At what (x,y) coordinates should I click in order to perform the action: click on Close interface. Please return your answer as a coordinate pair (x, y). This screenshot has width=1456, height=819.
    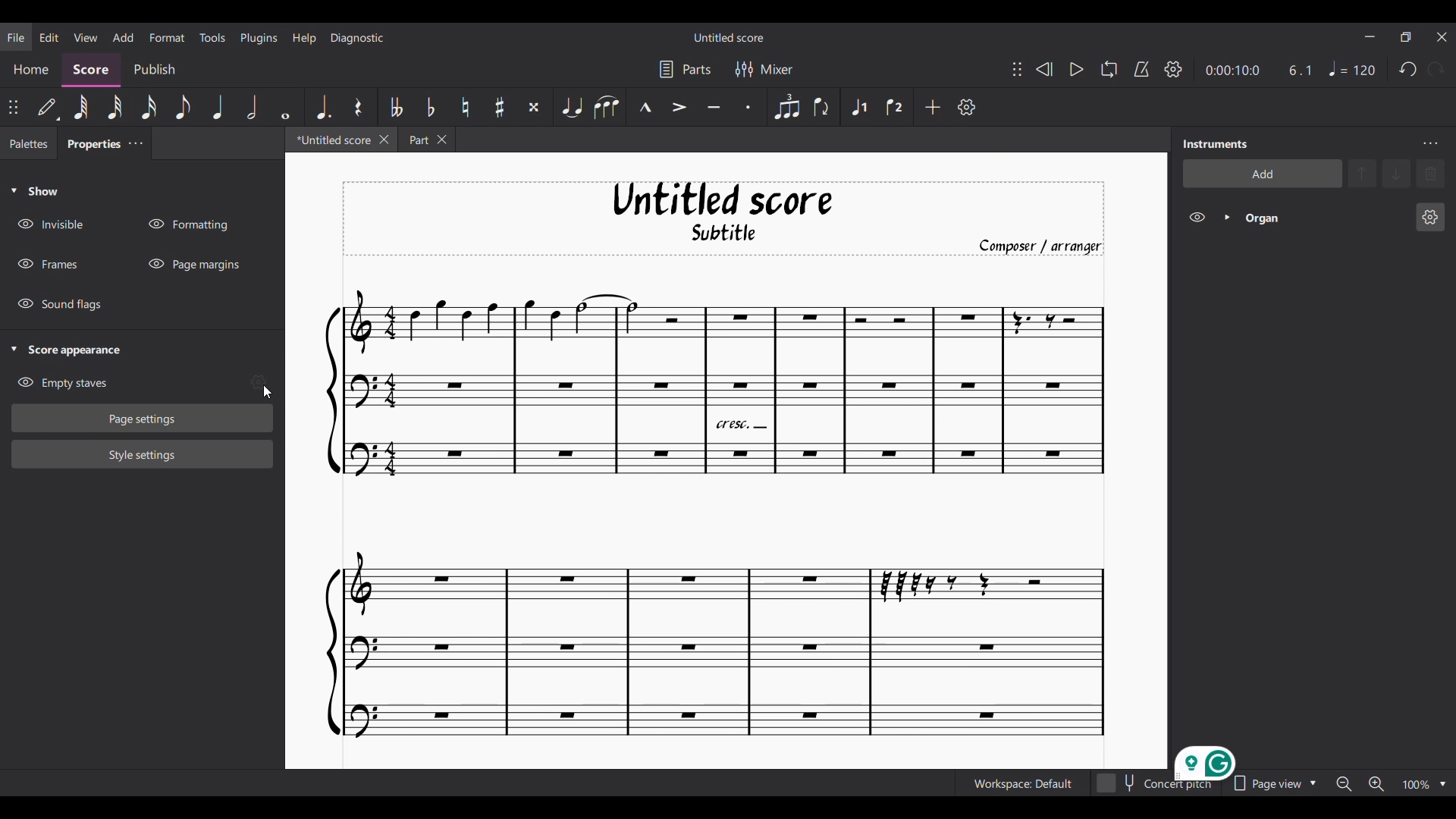
    Looking at the image, I should click on (1442, 37).